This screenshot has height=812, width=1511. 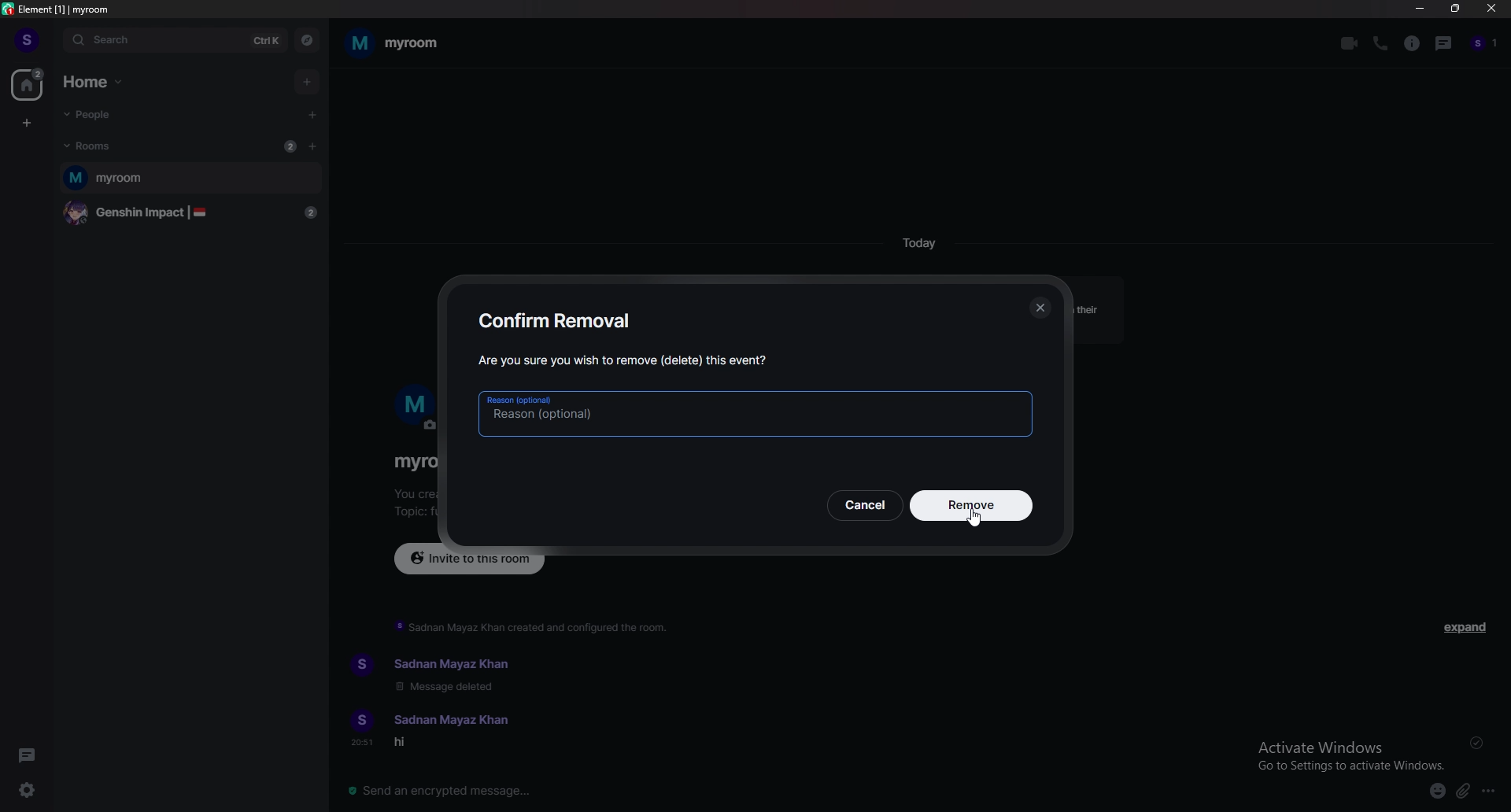 What do you see at coordinates (311, 115) in the screenshot?
I see `start chat` at bounding box center [311, 115].